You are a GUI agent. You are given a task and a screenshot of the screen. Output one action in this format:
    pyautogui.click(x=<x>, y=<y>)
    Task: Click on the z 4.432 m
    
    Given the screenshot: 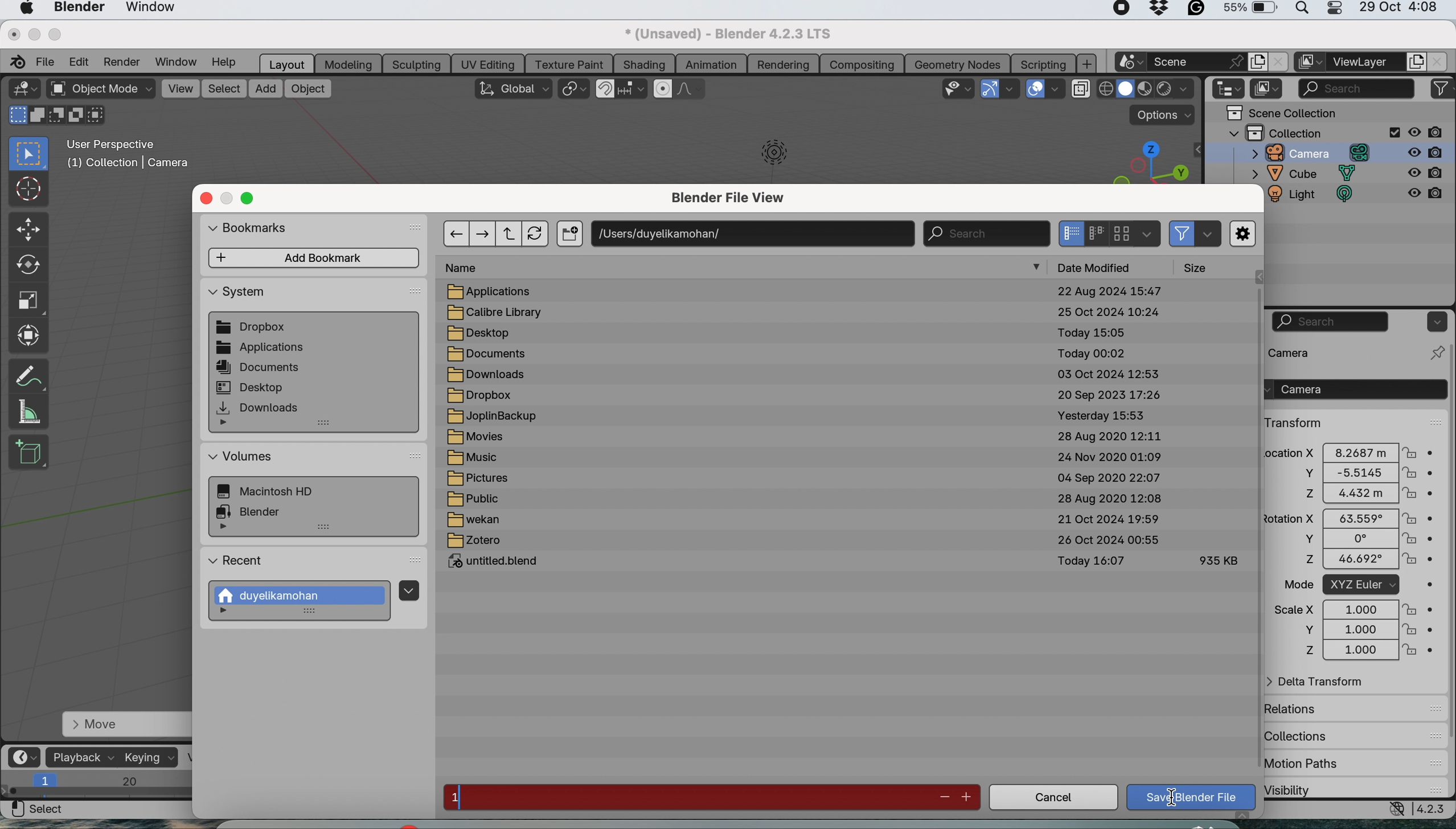 What is the action you would take?
    pyautogui.click(x=1353, y=494)
    